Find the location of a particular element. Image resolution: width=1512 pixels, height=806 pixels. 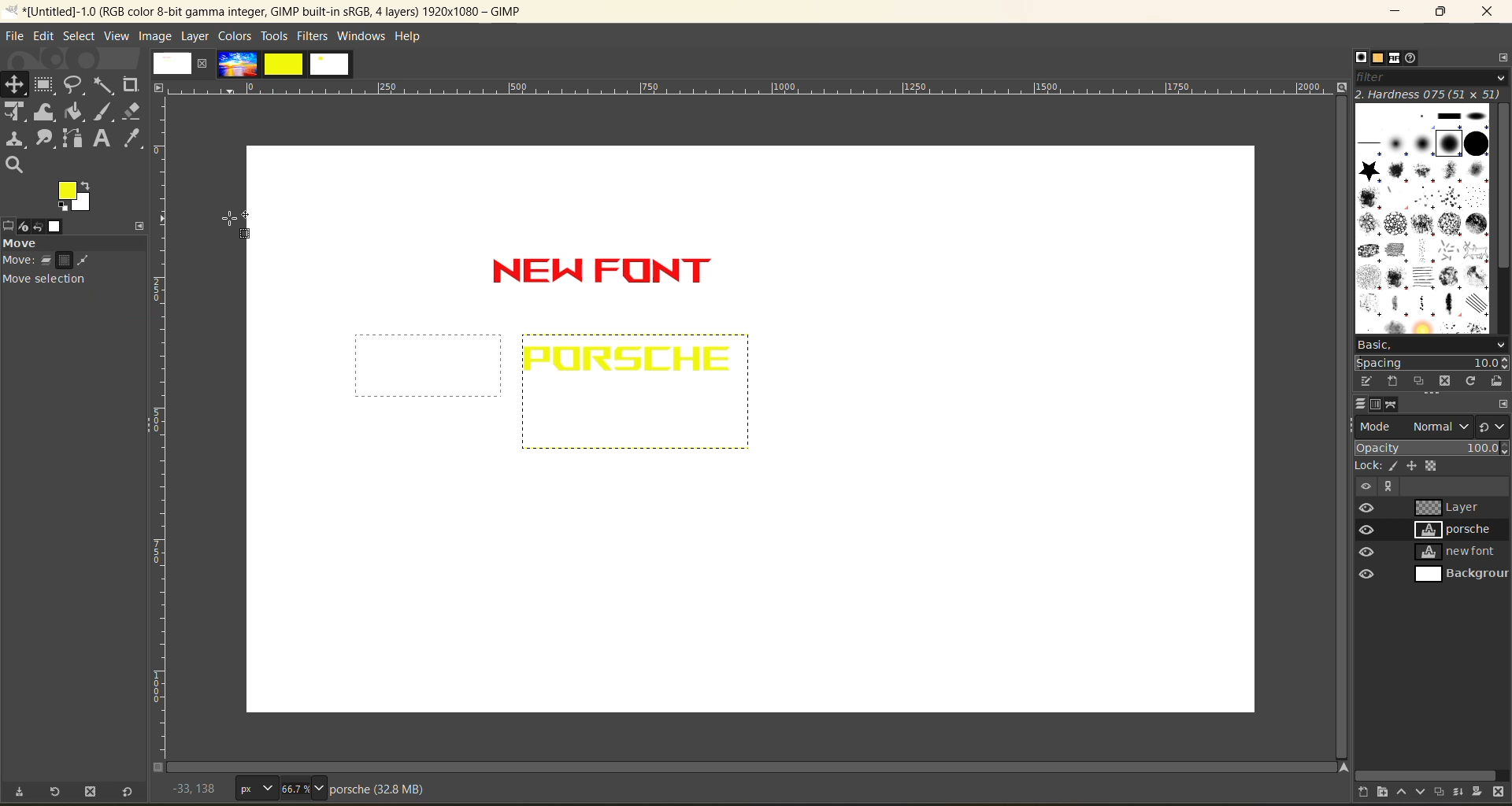

configure is located at coordinates (1503, 57).